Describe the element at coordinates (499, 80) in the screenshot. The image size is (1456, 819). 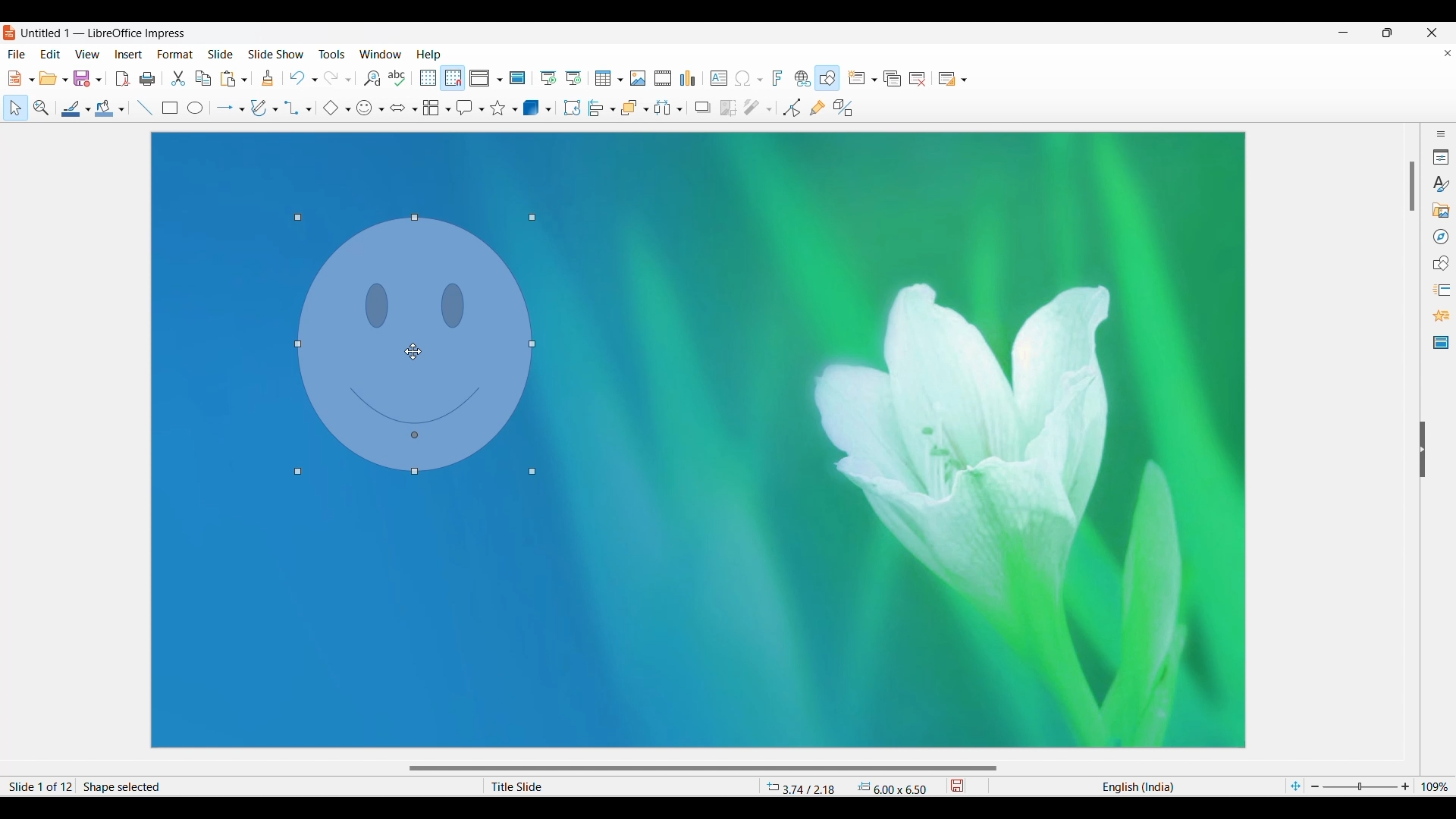
I see `View options` at that location.